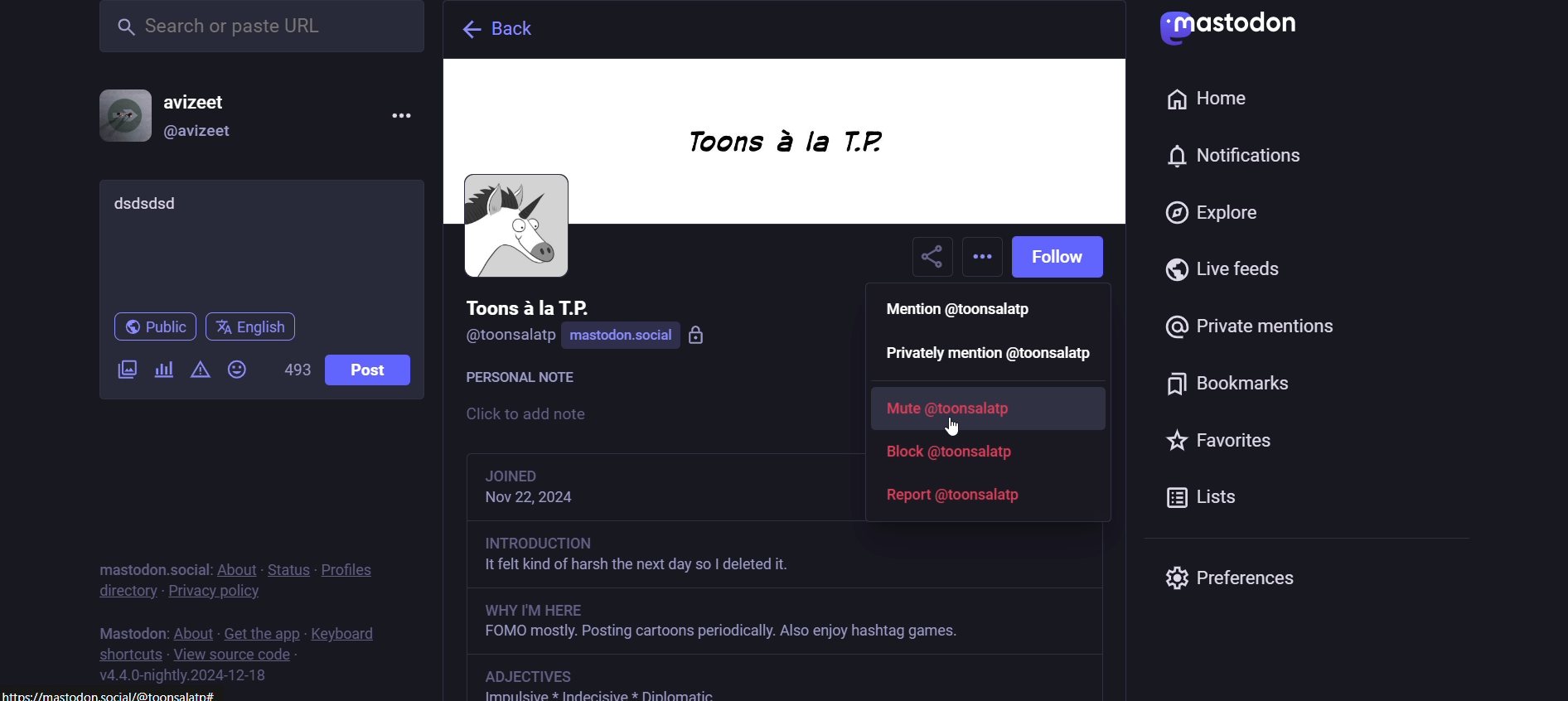 The height and width of the screenshot is (701, 1568). Describe the element at coordinates (569, 416) in the screenshot. I see `click to add note` at that location.